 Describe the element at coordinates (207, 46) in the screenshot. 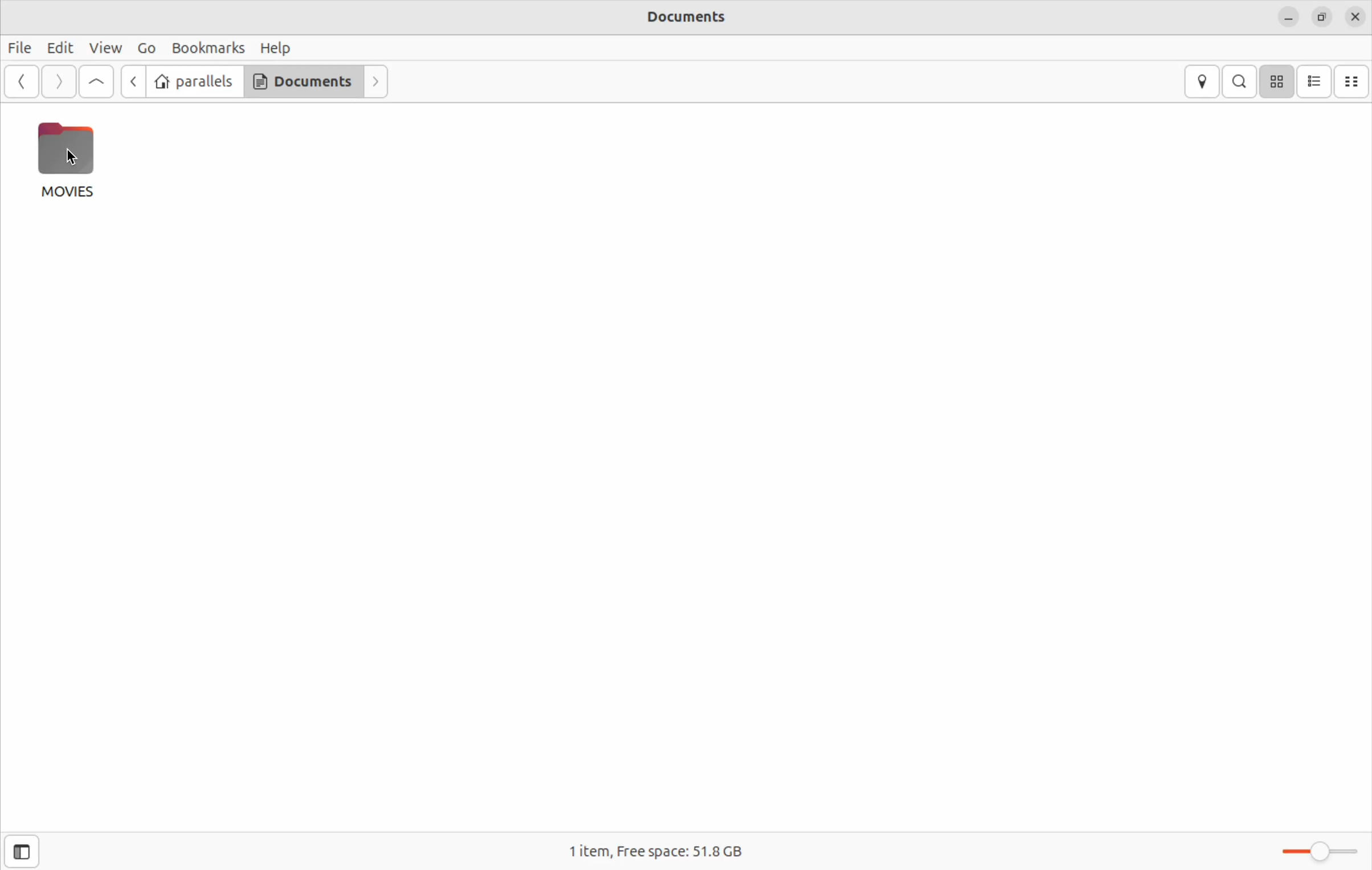

I see `Bookmarks` at that location.